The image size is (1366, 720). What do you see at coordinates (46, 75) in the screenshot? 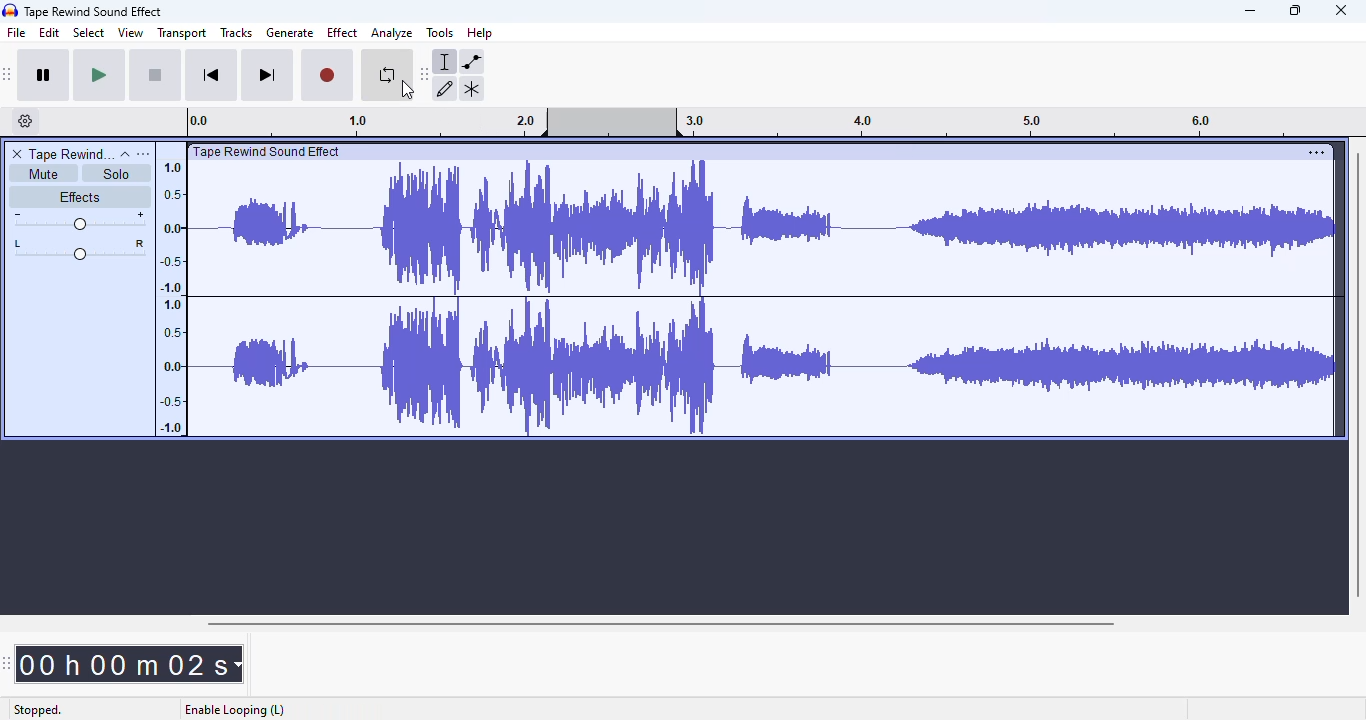
I see `pause` at bounding box center [46, 75].